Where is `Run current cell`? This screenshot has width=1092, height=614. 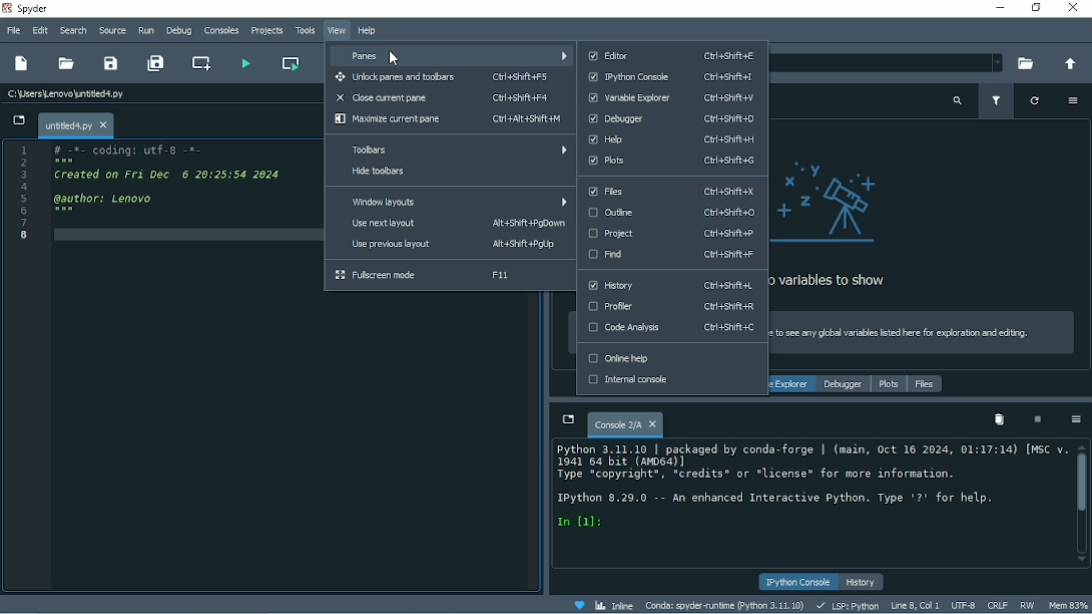 Run current cell is located at coordinates (290, 64).